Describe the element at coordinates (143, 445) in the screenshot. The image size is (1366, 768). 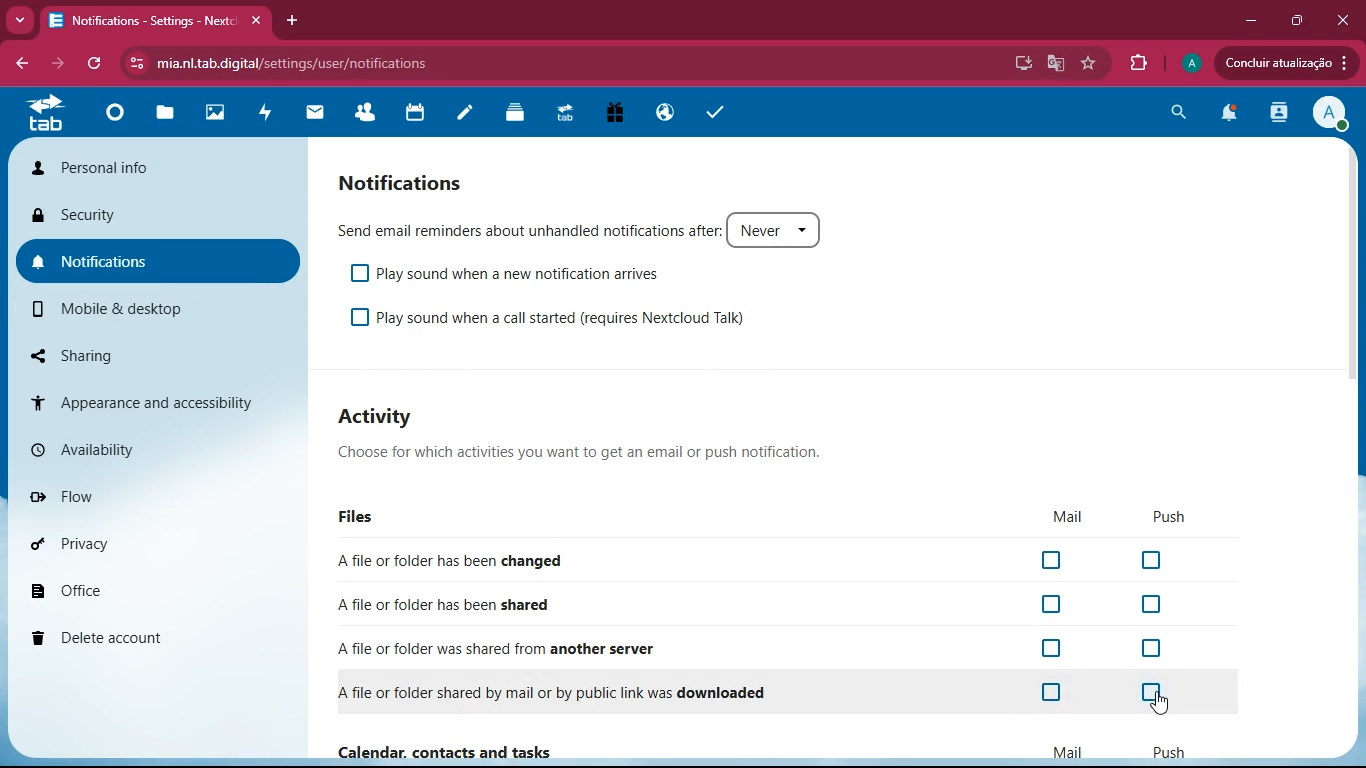
I see `availability` at that location.